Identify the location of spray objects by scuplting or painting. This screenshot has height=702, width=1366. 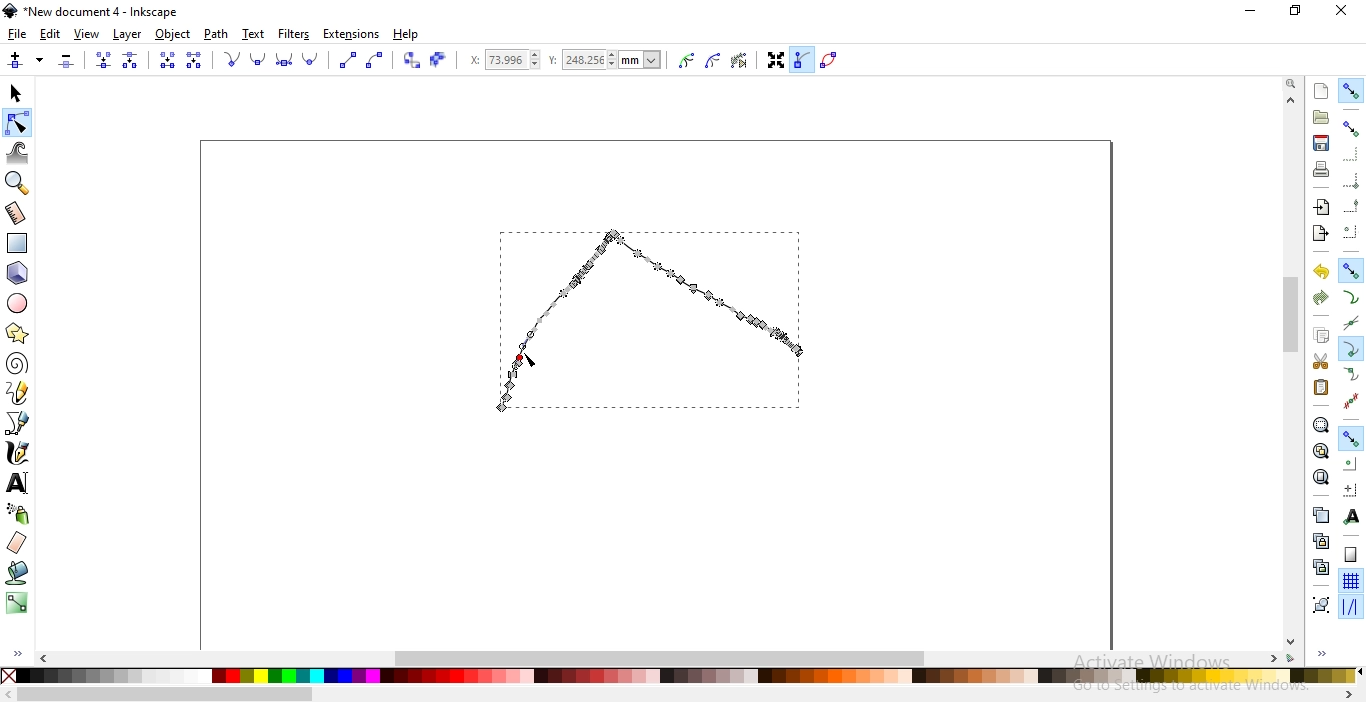
(19, 513).